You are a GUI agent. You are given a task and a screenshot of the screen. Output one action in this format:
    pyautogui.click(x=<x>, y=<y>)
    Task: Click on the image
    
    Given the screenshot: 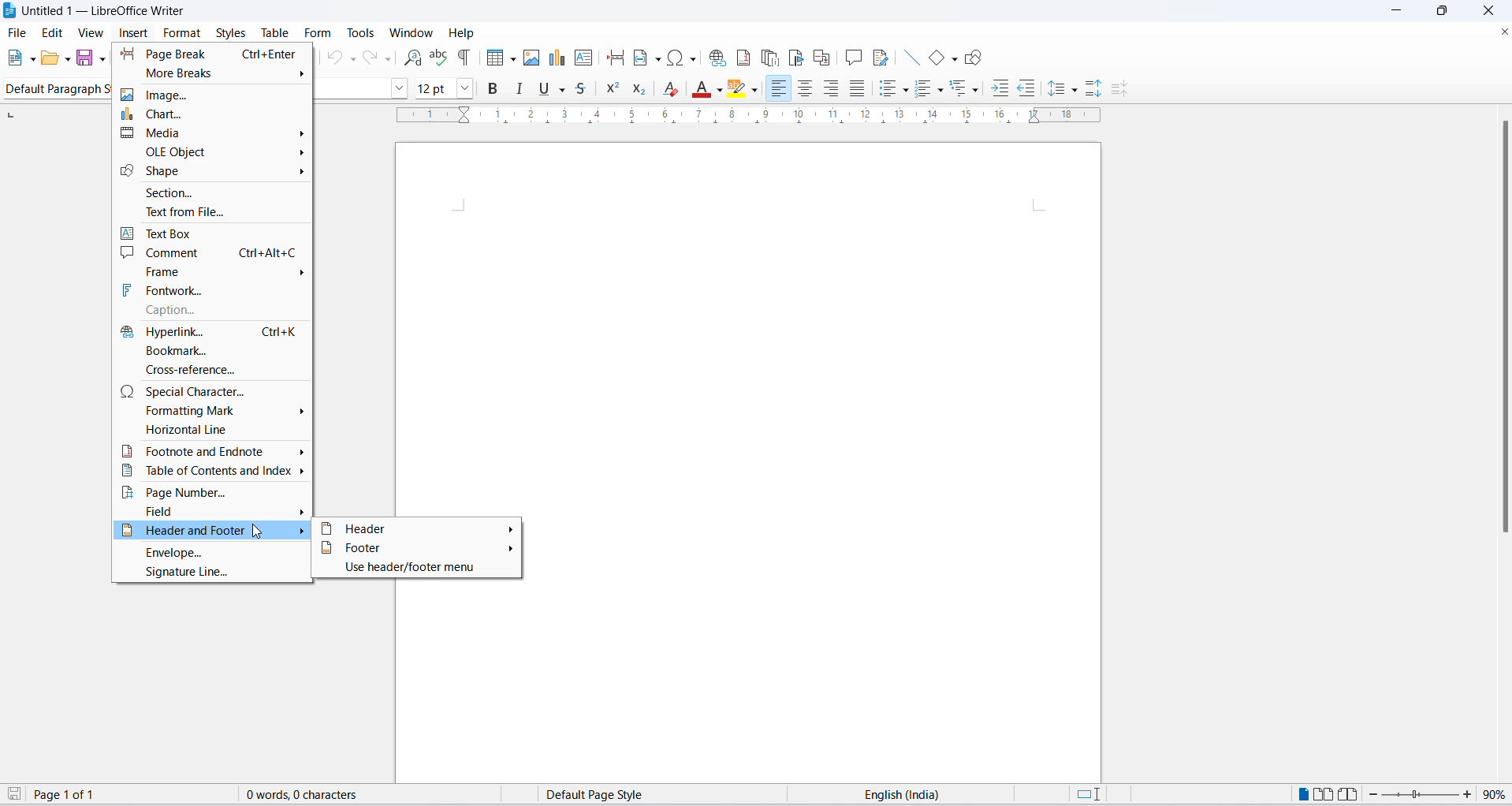 What is the action you would take?
    pyautogui.click(x=213, y=97)
    